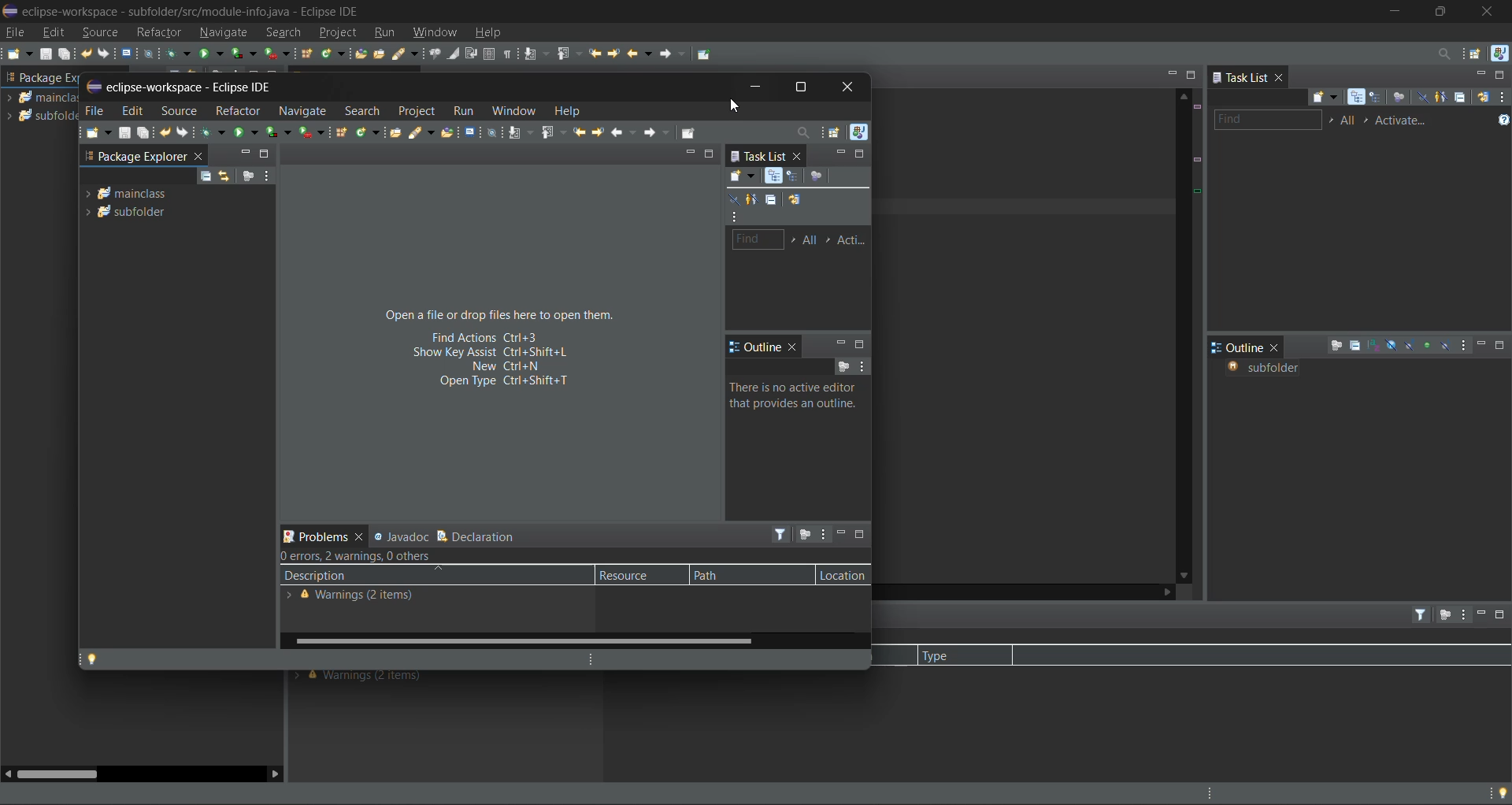  What do you see at coordinates (716, 573) in the screenshot?
I see `path` at bounding box center [716, 573].